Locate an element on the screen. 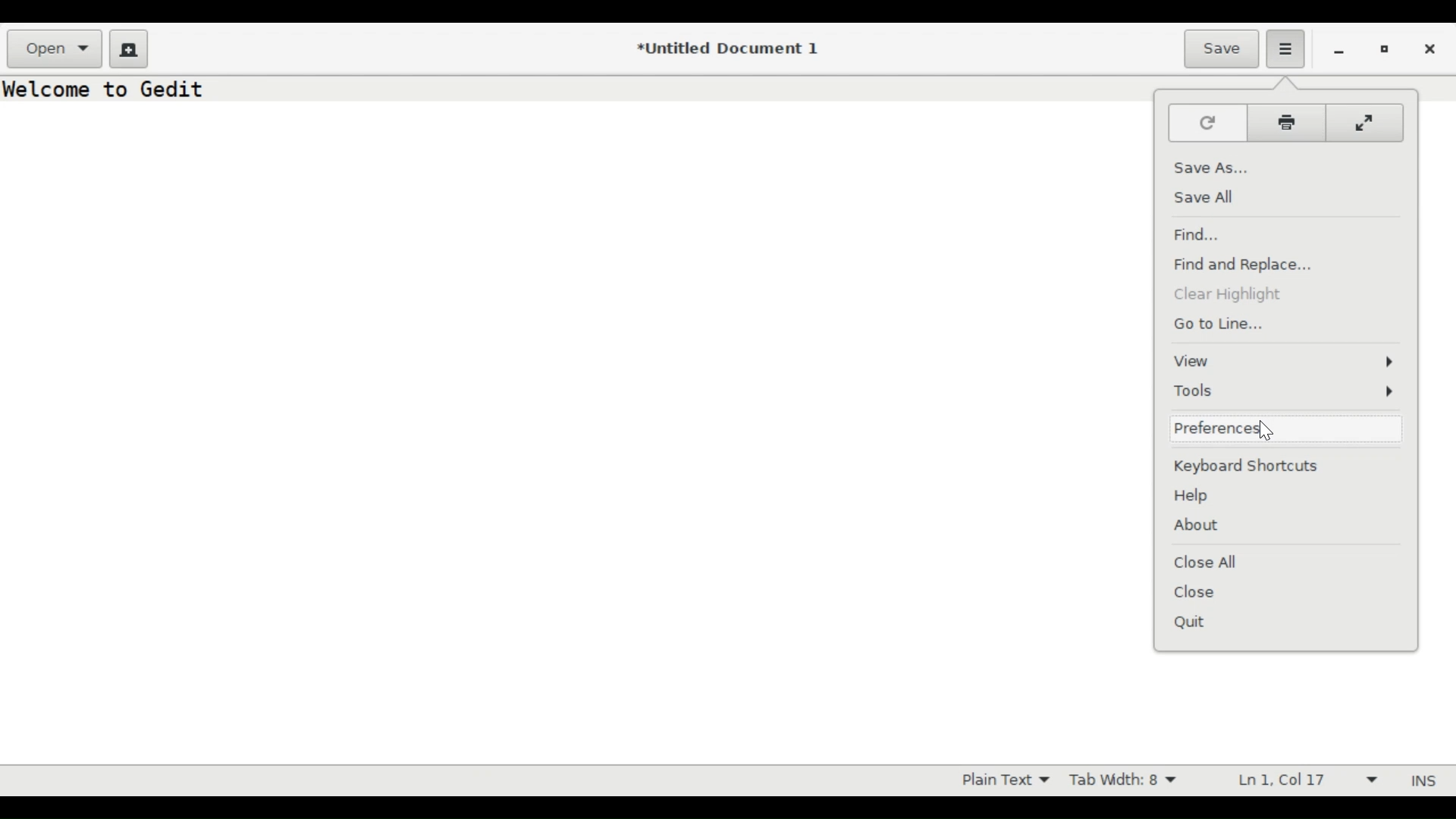 This screenshot has height=819, width=1456. Application menu is located at coordinates (1286, 49).